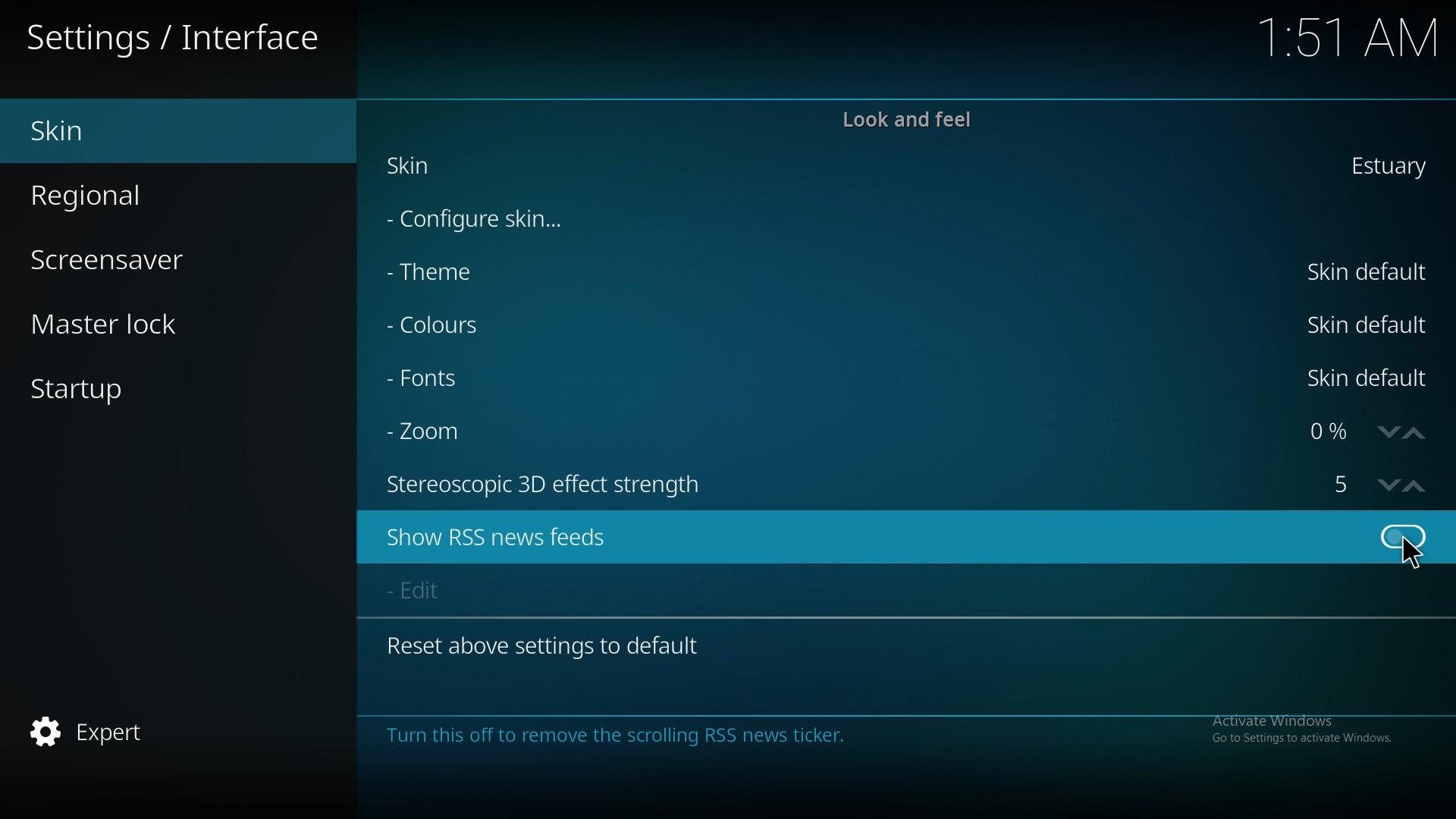 Image resolution: width=1456 pixels, height=819 pixels. What do you see at coordinates (1385, 165) in the screenshot?
I see `skin` at bounding box center [1385, 165].